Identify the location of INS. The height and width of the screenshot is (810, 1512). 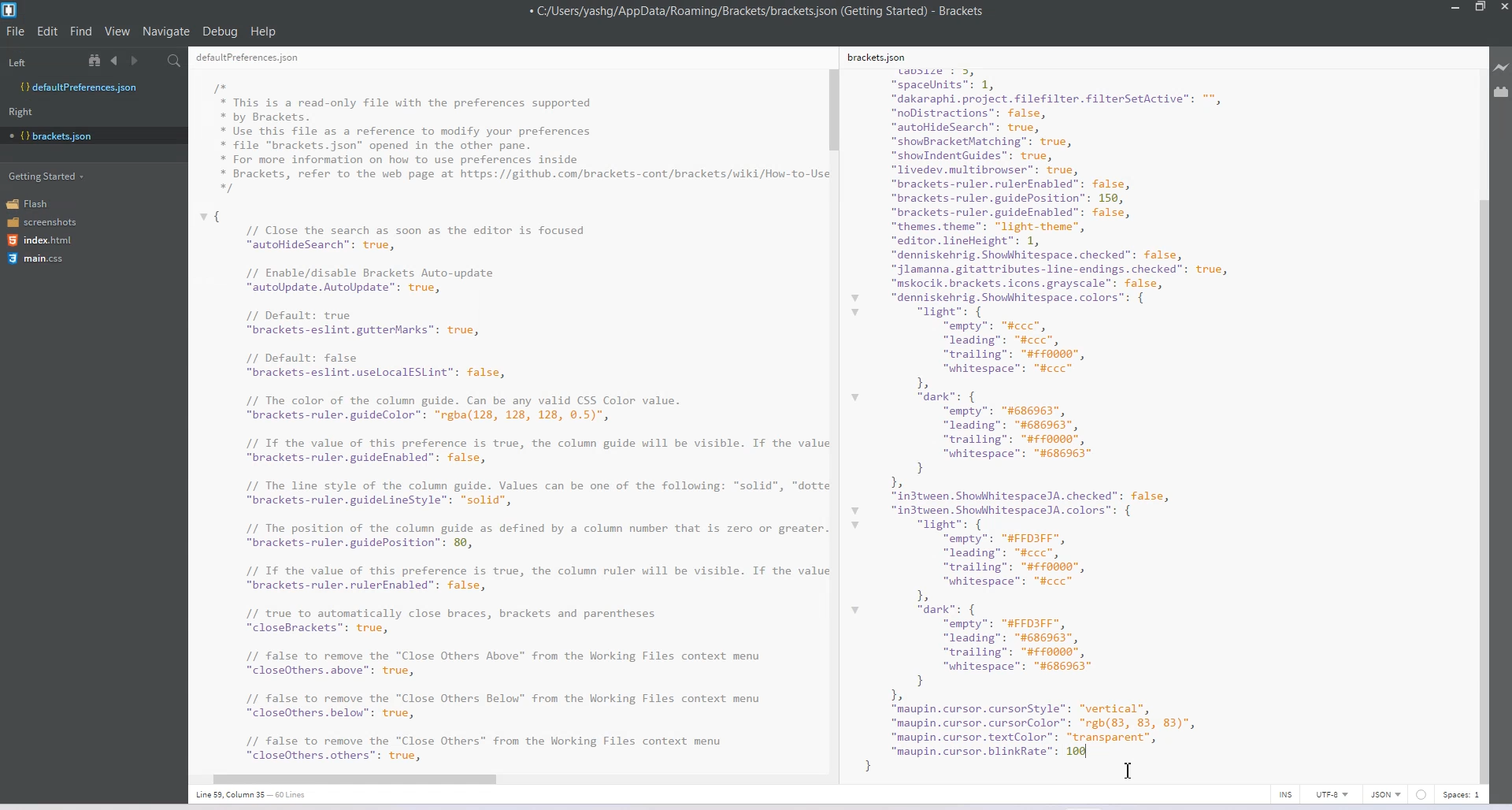
(1285, 794).